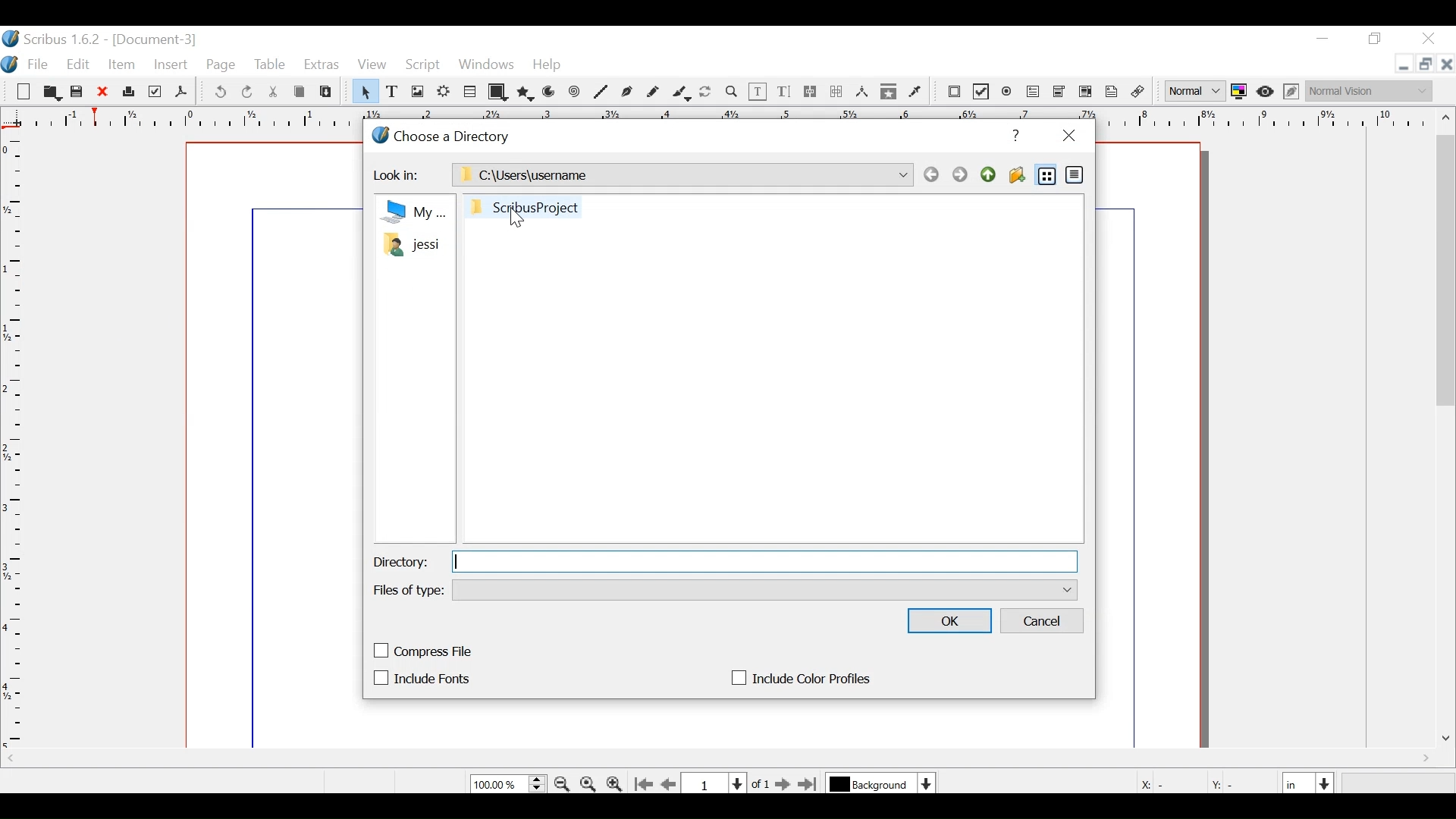 Image resolution: width=1456 pixels, height=819 pixels. What do you see at coordinates (809, 784) in the screenshot?
I see `Go to the last page` at bounding box center [809, 784].